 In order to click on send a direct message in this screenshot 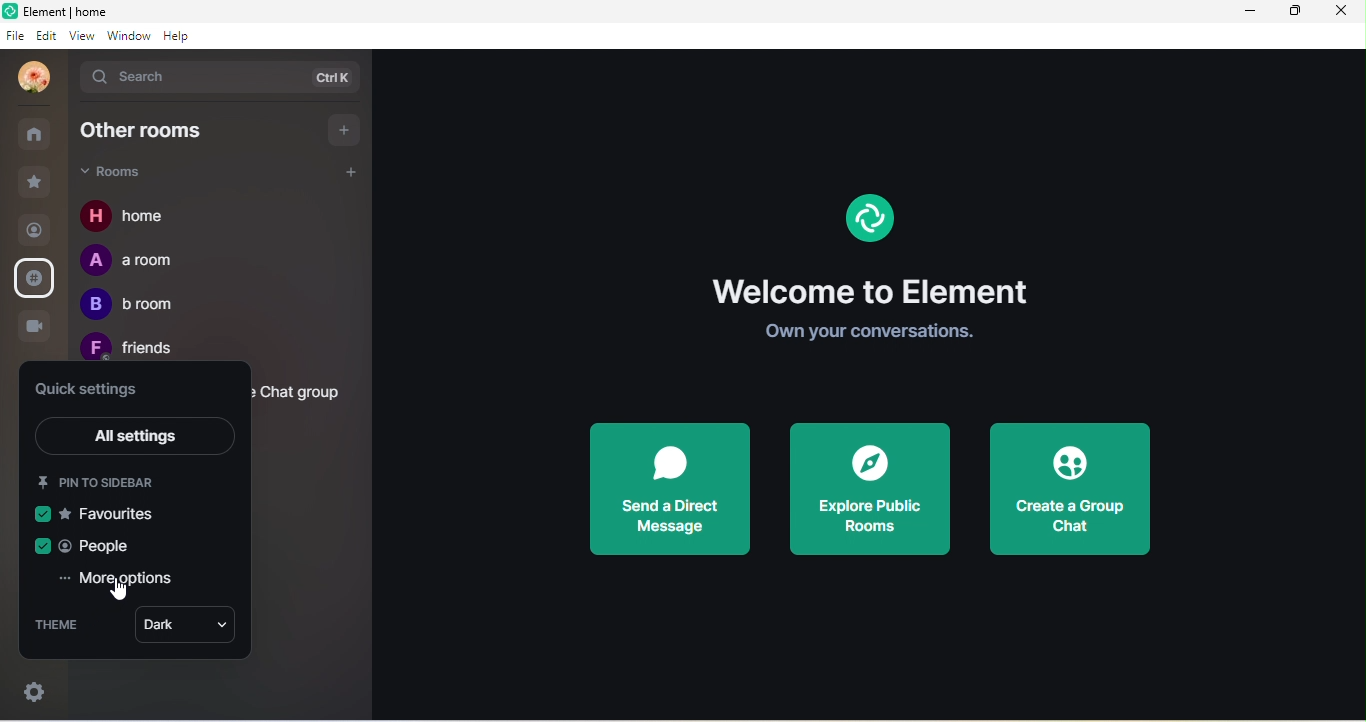, I will do `click(668, 490)`.